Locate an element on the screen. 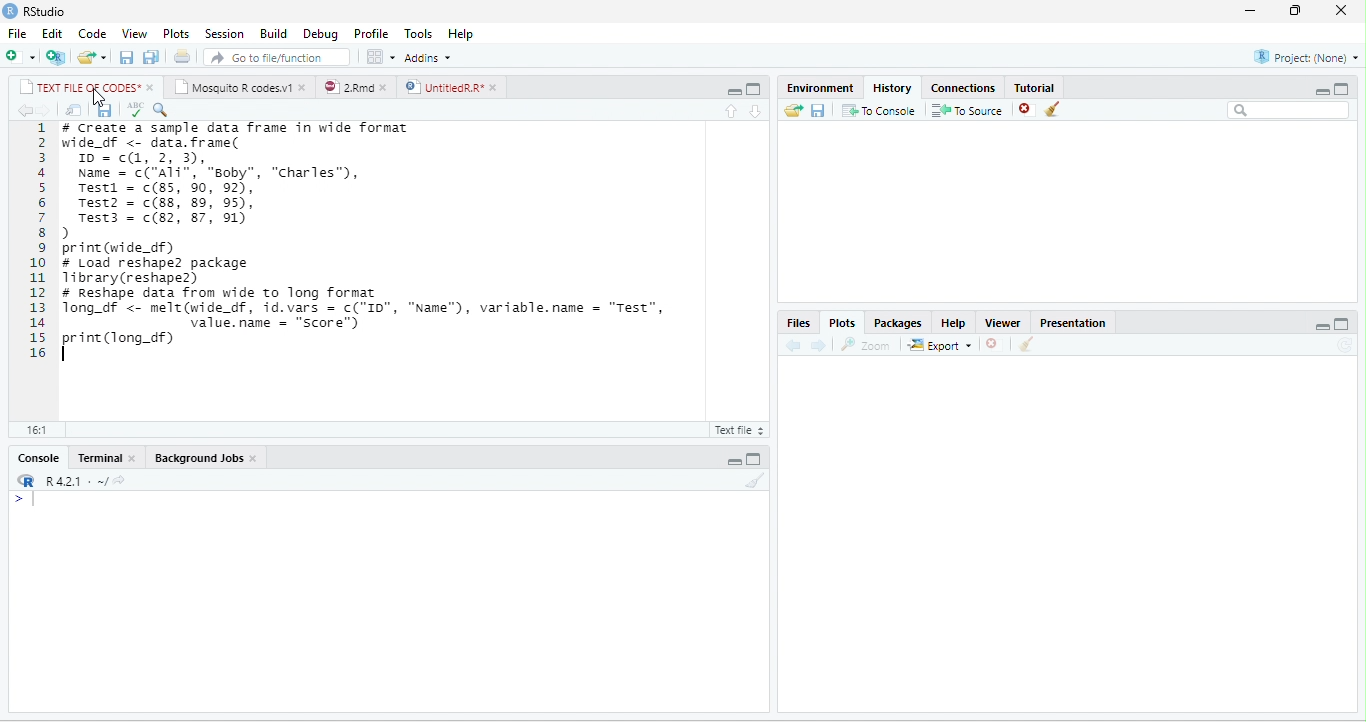  Plots is located at coordinates (843, 323).